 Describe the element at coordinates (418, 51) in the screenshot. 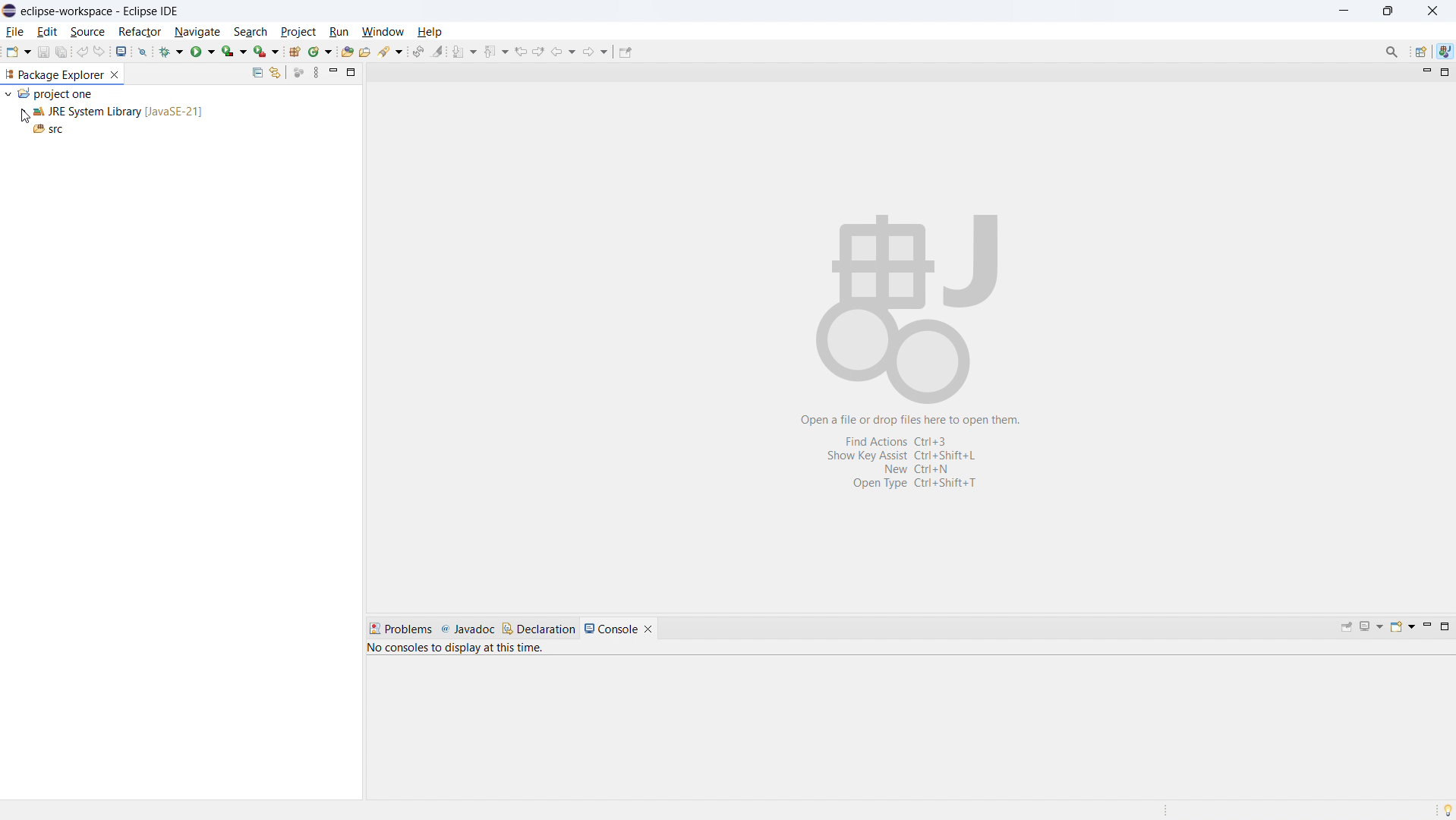

I see `toggle ant editor auto reconcile` at that location.